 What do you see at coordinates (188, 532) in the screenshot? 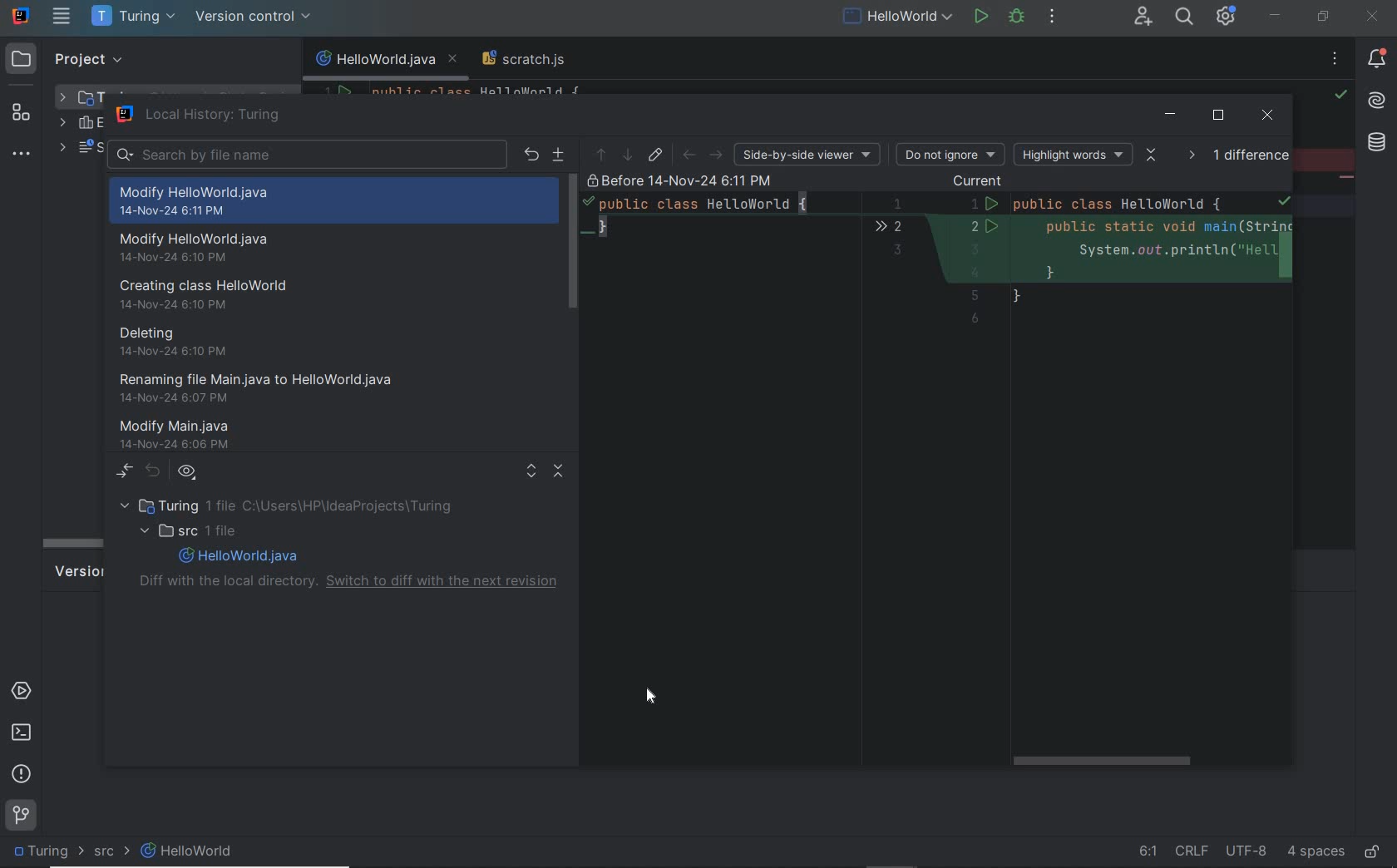
I see `SRC` at bounding box center [188, 532].